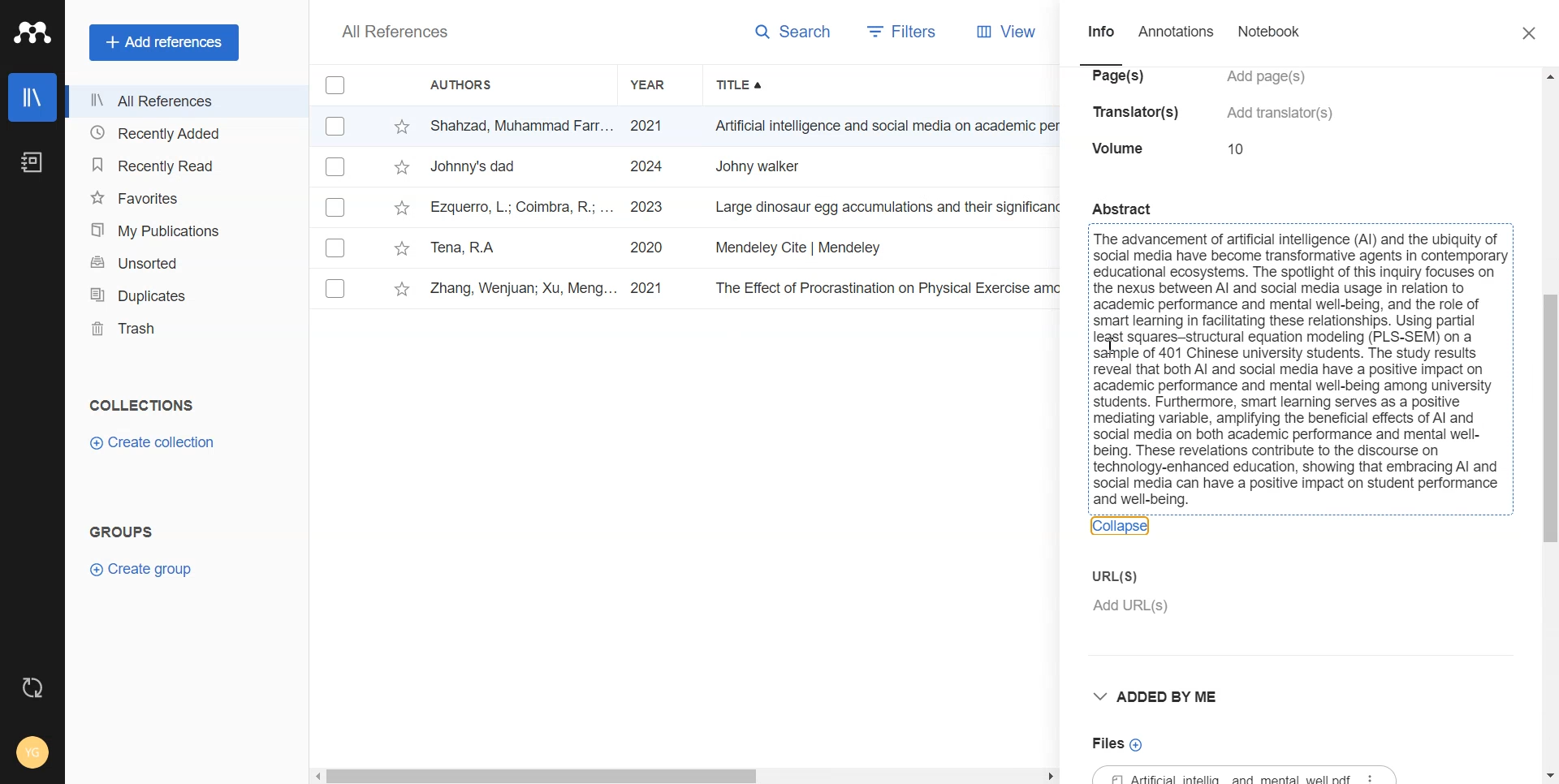  What do you see at coordinates (1119, 75) in the screenshot?
I see `pages` at bounding box center [1119, 75].